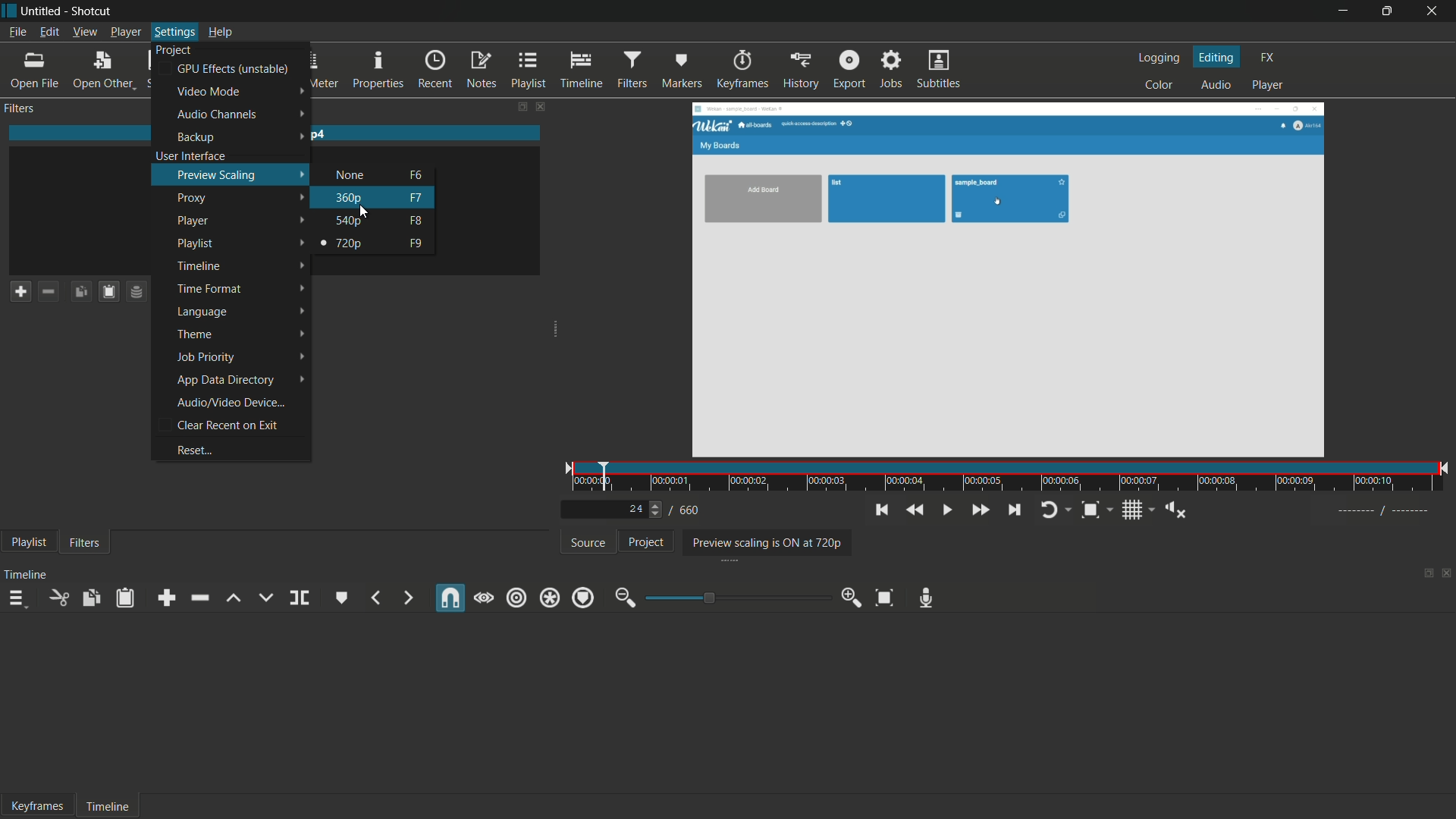 Image resolution: width=1456 pixels, height=819 pixels. I want to click on ripple, so click(515, 598).